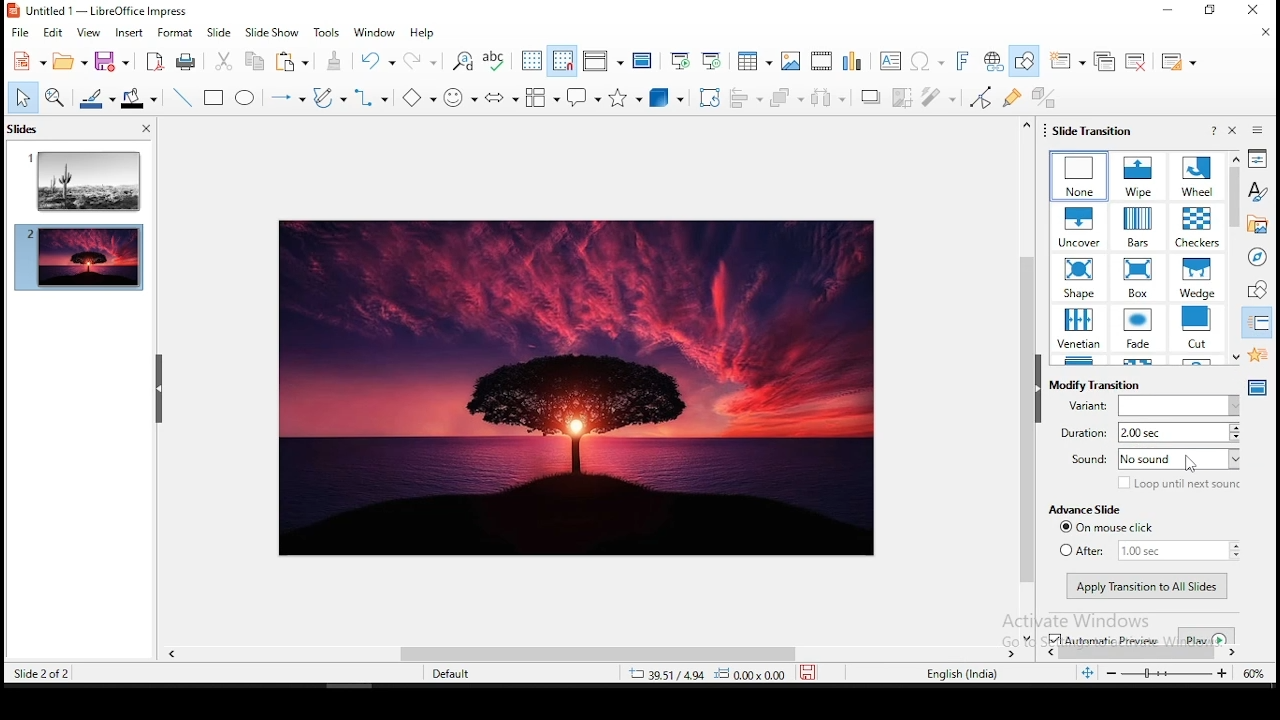  Describe the element at coordinates (1104, 61) in the screenshot. I see `duplicate slide` at that location.